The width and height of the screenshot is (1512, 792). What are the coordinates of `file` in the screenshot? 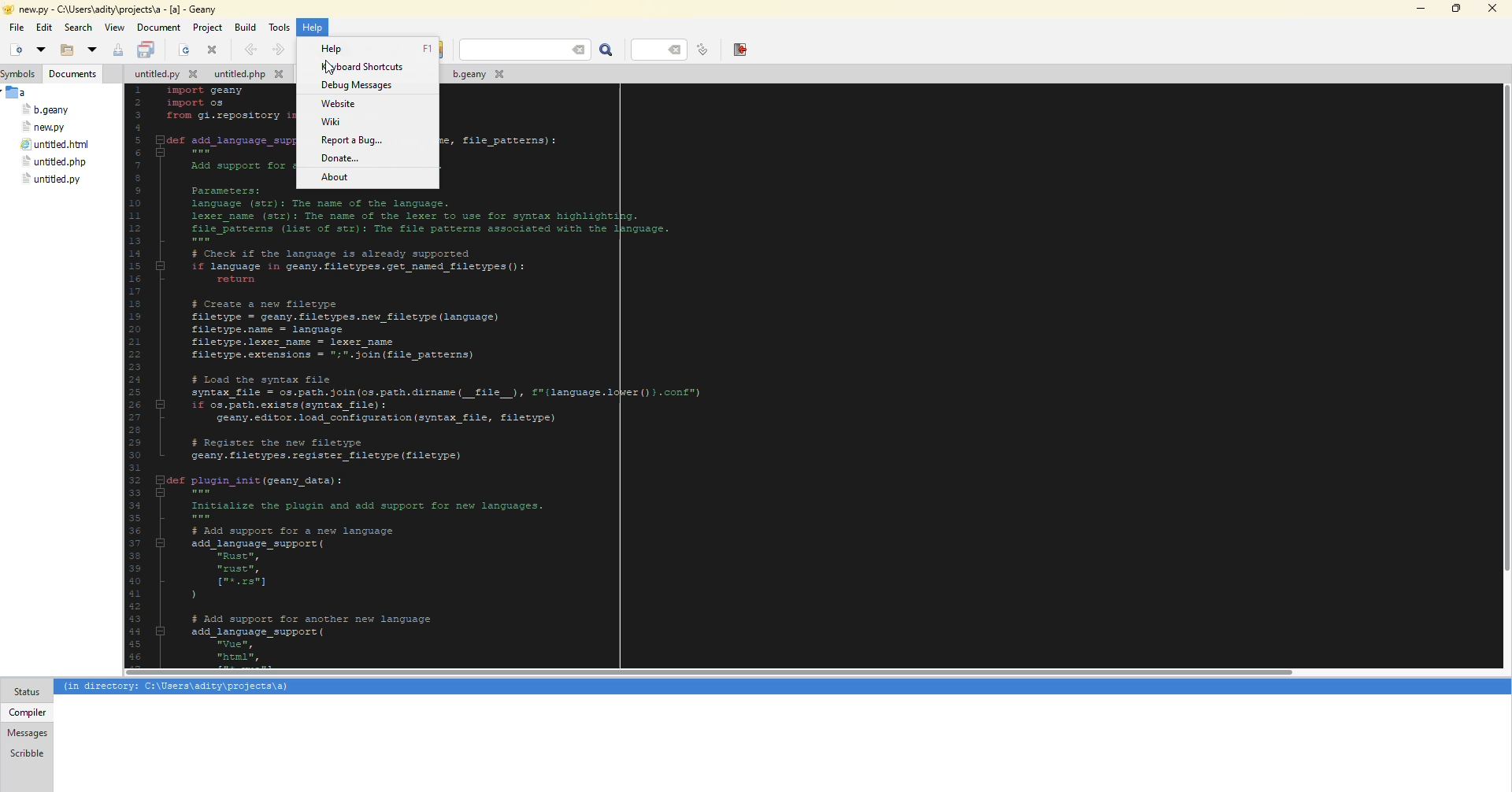 It's located at (55, 146).